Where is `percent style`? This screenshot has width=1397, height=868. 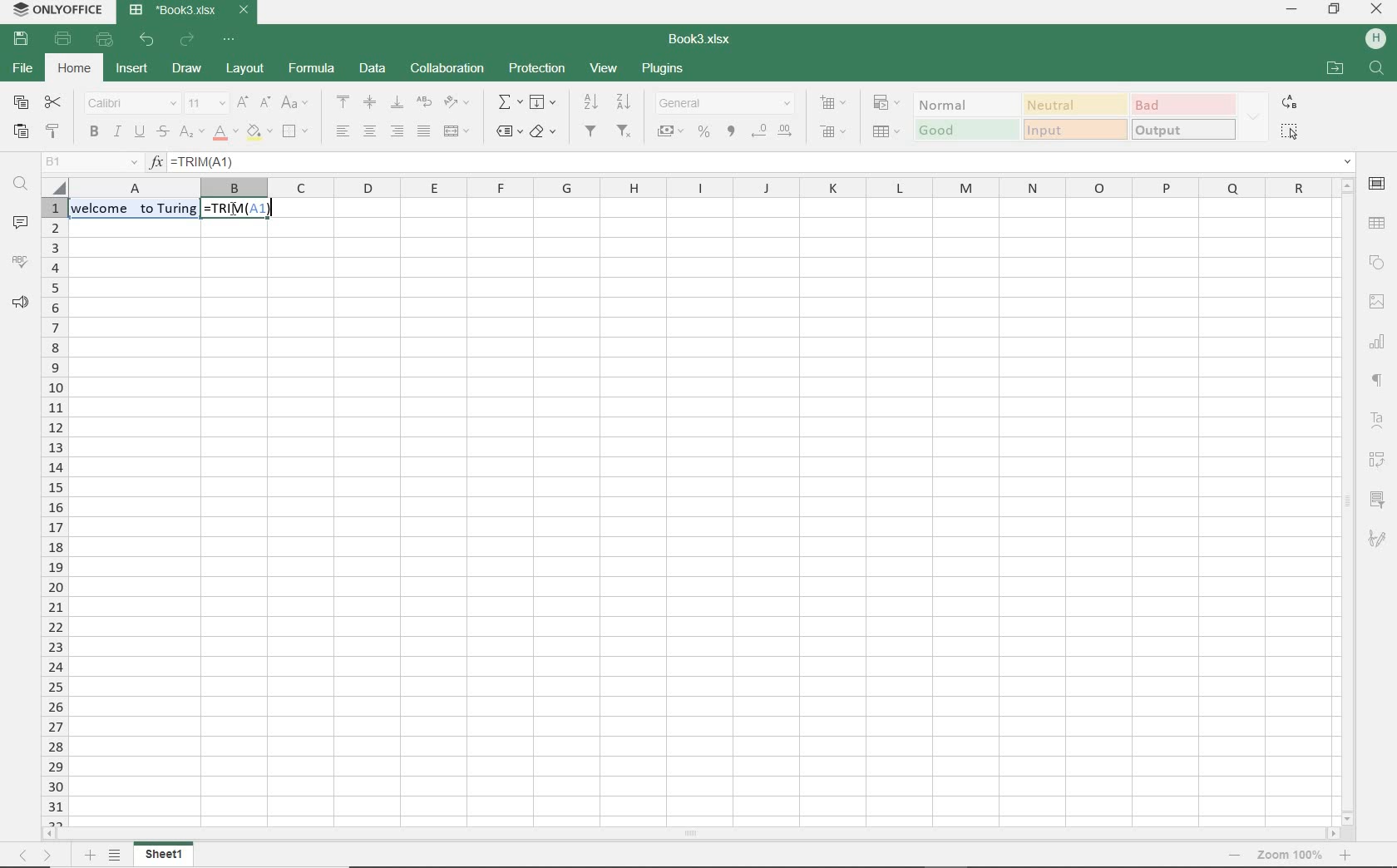
percent style is located at coordinates (704, 132).